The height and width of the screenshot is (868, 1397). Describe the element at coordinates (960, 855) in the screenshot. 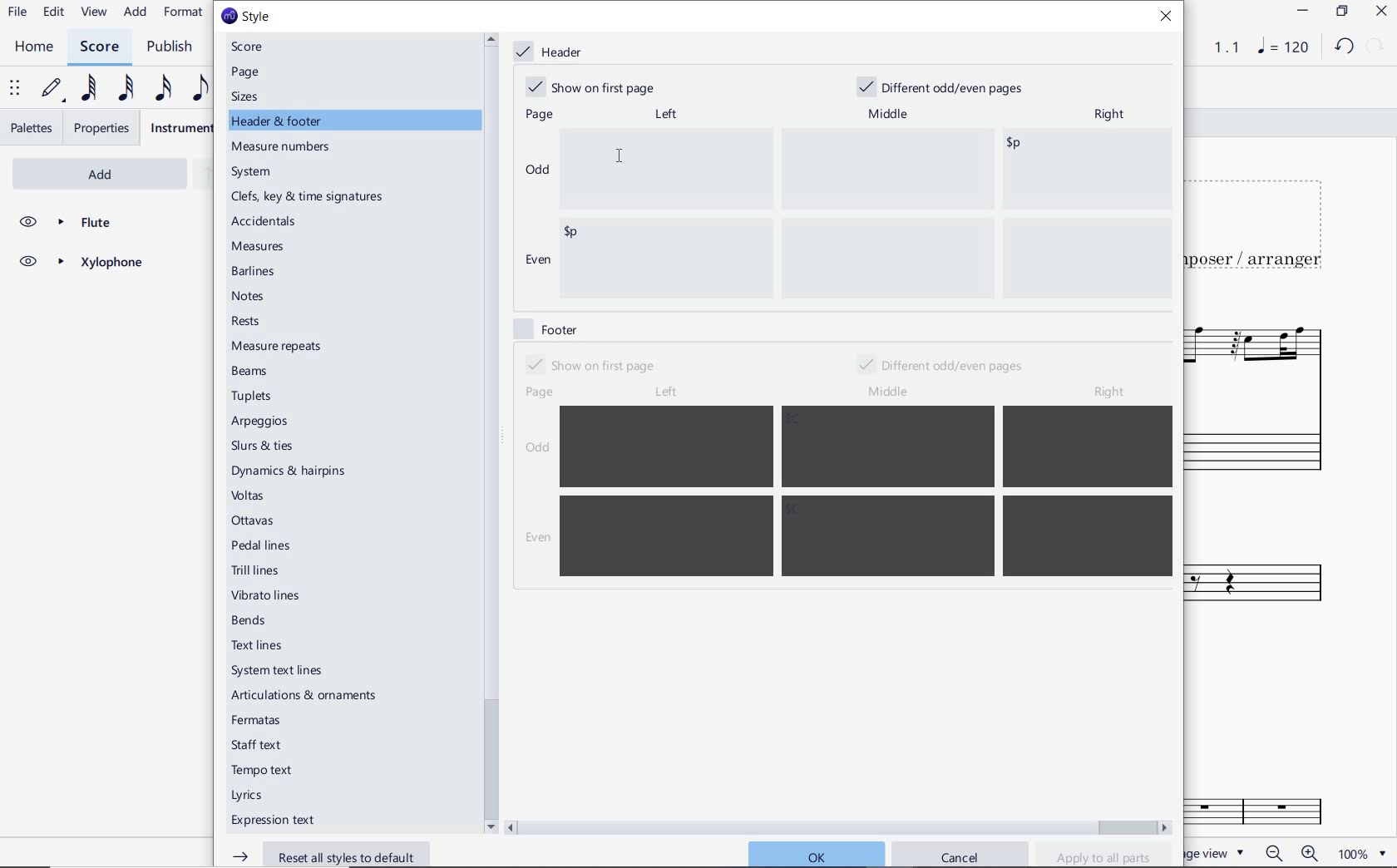

I see `cancel` at that location.